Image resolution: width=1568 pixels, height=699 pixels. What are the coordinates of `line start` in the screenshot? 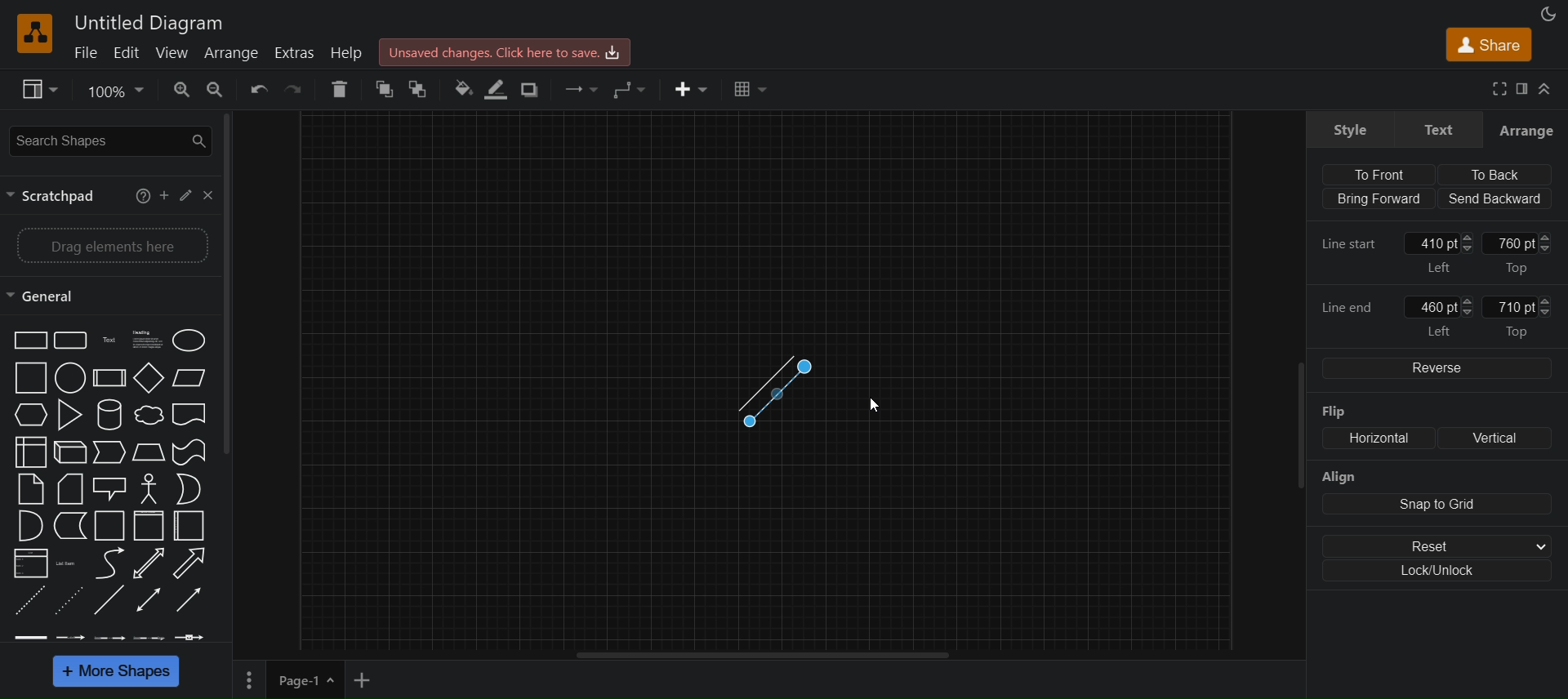 It's located at (1355, 244).